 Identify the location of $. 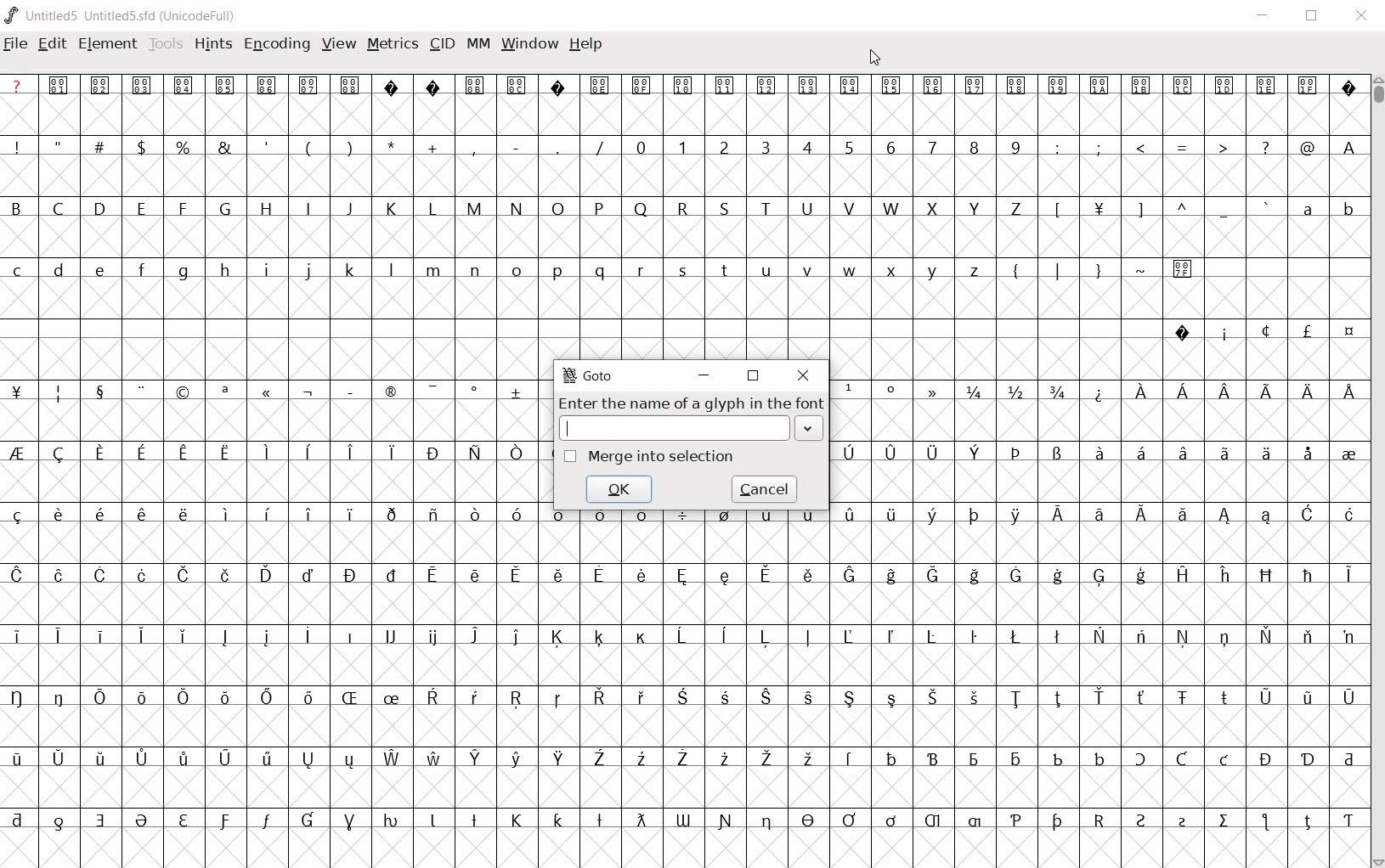
(144, 147).